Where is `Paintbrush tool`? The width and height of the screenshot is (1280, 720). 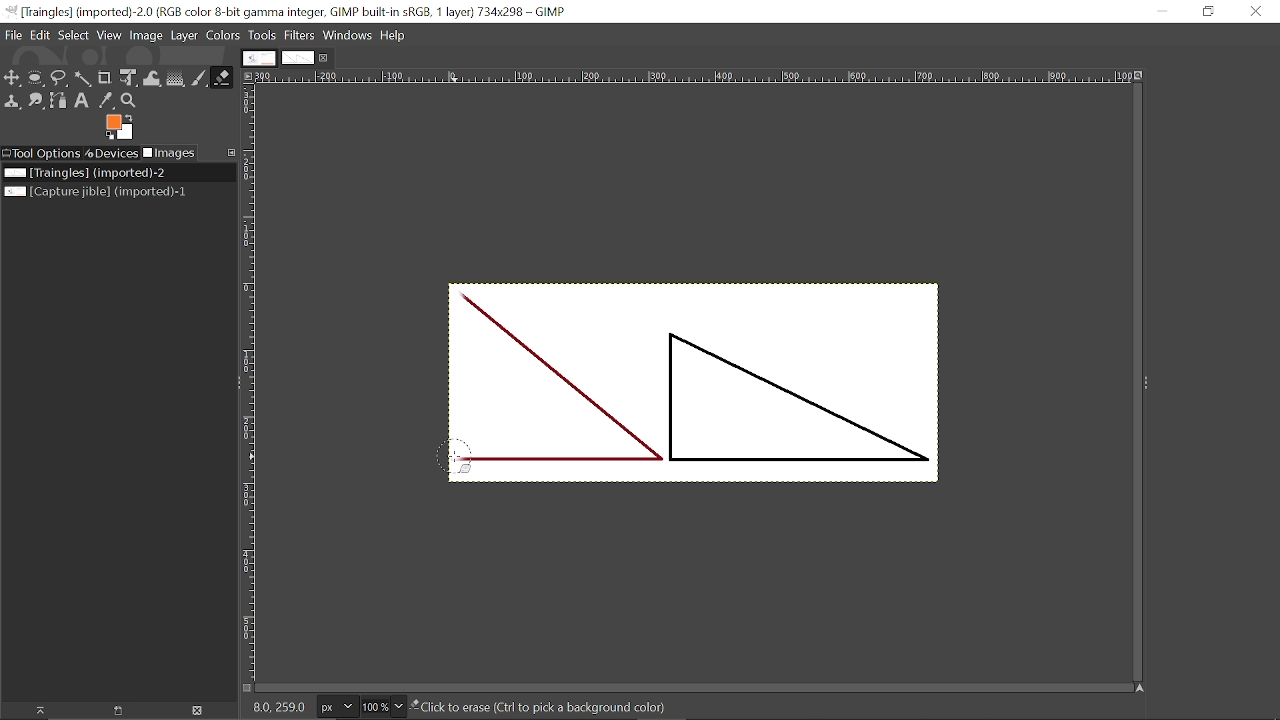 Paintbrush tool is located at coordinates (199, 78).